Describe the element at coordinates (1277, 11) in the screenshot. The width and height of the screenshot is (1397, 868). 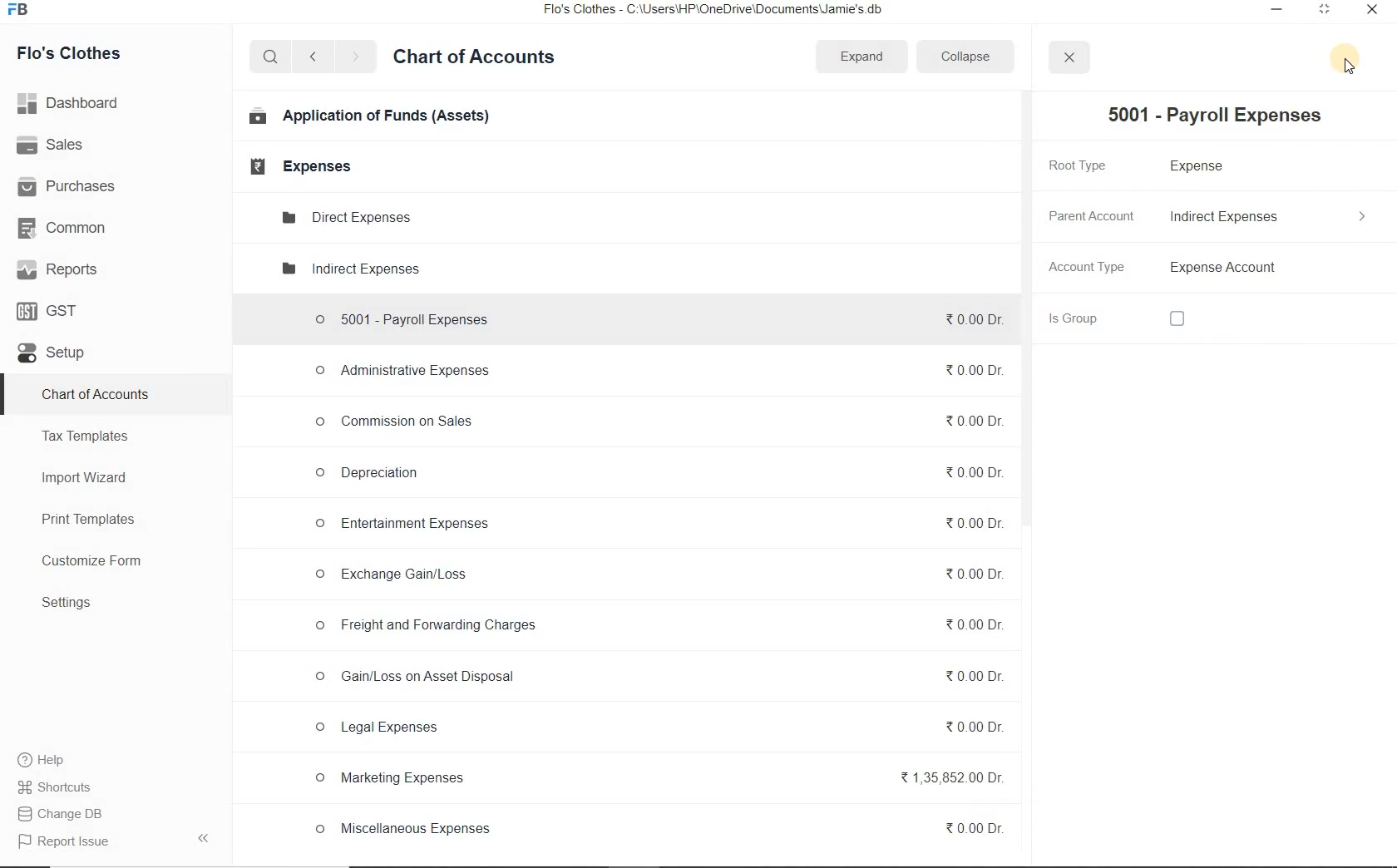
I see `minimize` at that location.